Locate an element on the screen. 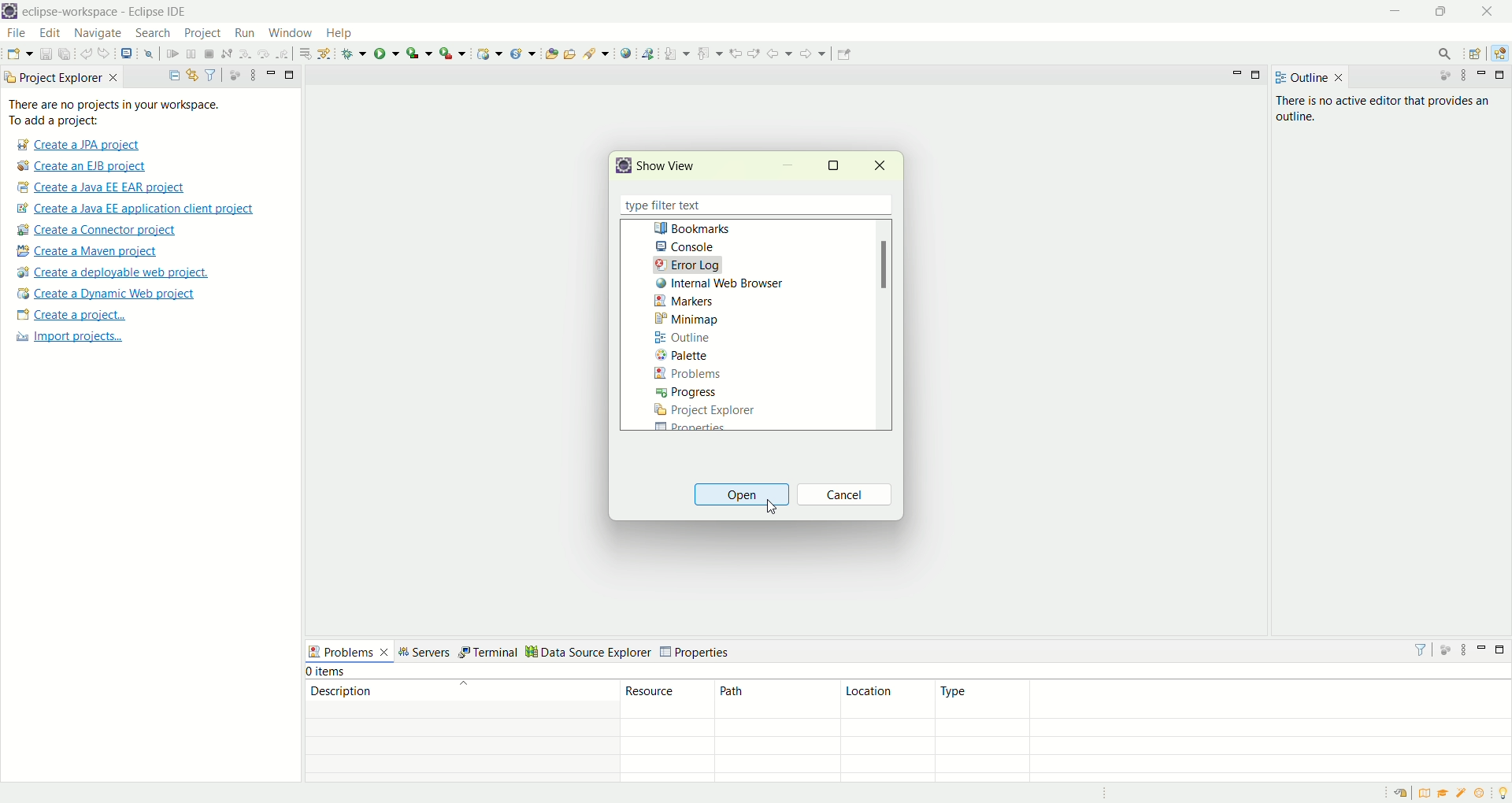  restore welcome is located at coordinates (1399, 794).